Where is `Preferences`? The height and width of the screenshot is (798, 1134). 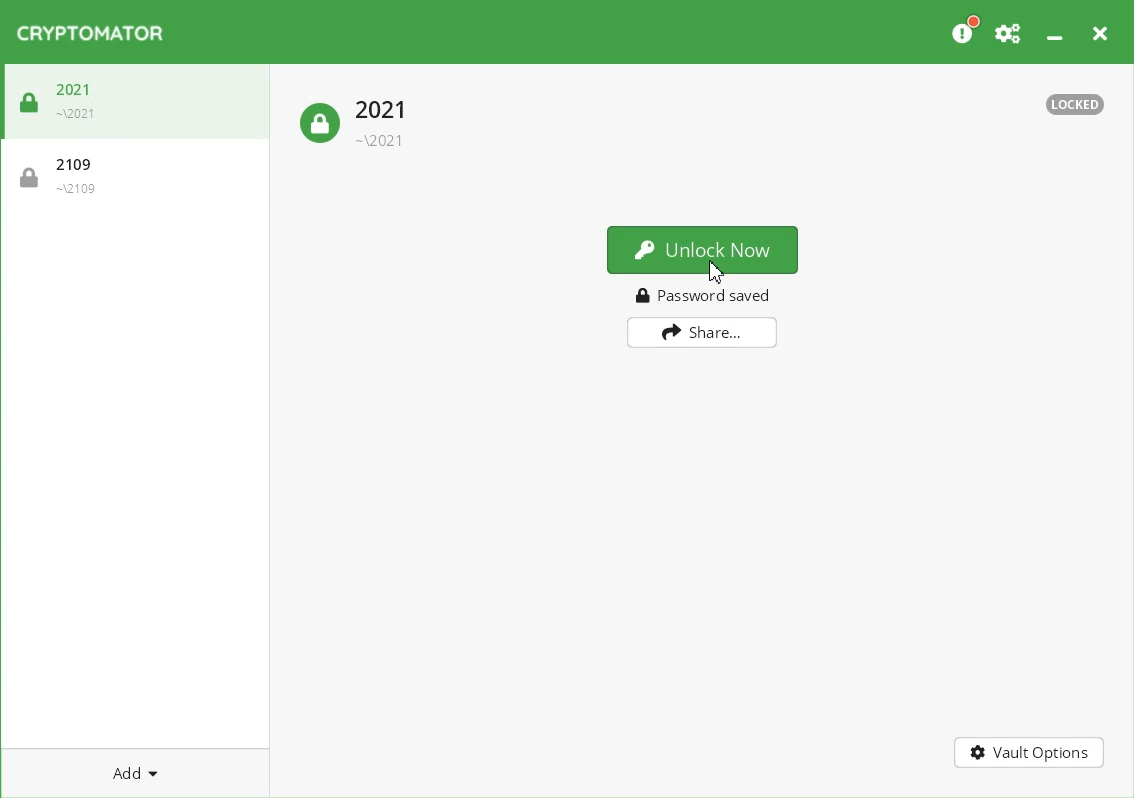
Preferences is located at coordinates (1008, 32).